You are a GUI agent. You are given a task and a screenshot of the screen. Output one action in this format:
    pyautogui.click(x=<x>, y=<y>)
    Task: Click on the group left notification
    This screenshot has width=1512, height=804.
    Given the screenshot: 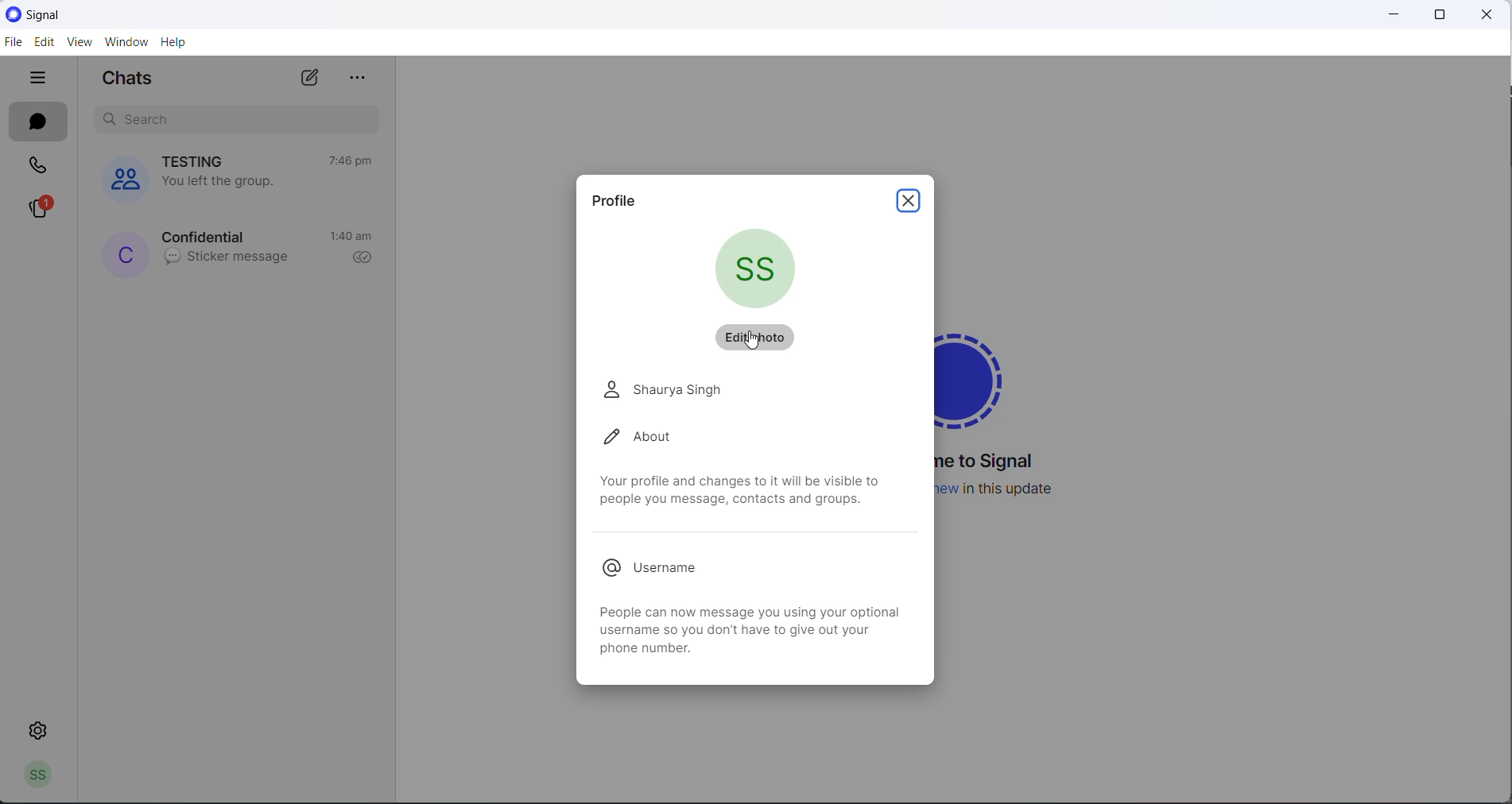 What is the action you would take?
    pyautogui.click(x=218, y=185)
    